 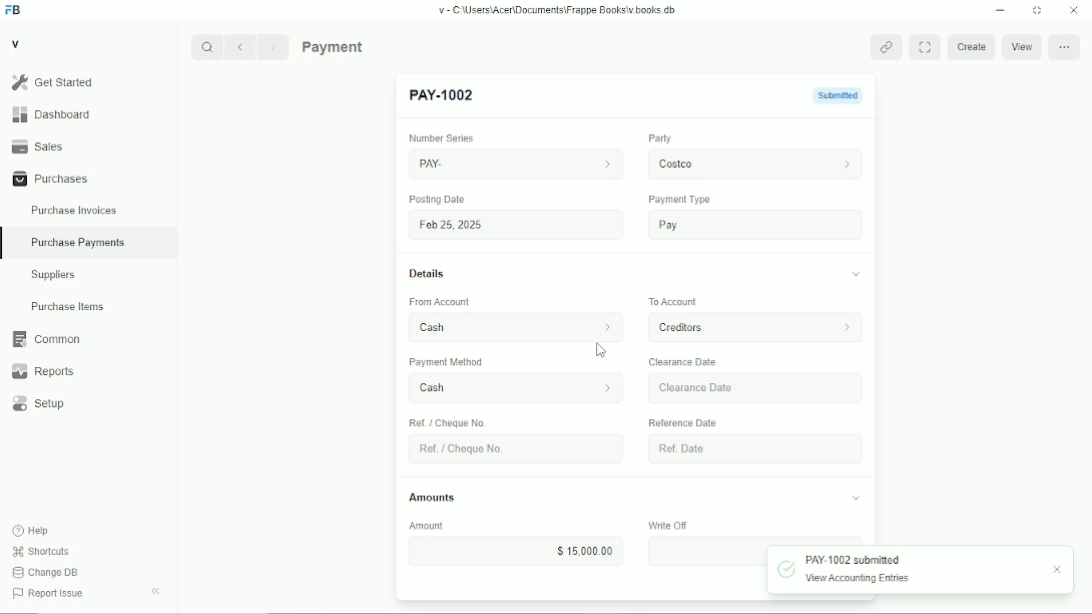 What do you see at coordinates (88, 306) in the screenshot?
I see `Purchase Items` at bounding box center [88, 306].